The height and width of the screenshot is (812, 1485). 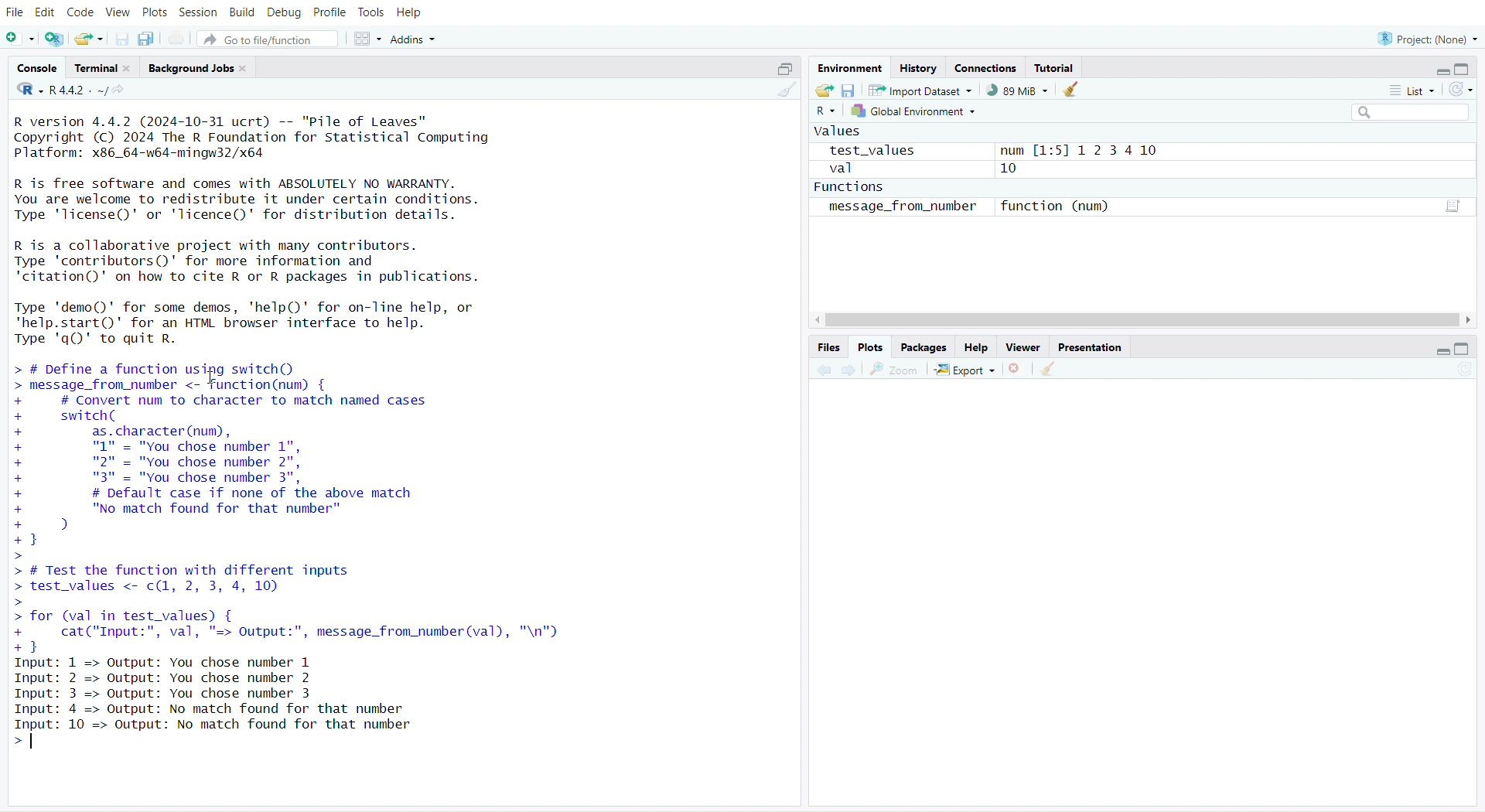 What do you see at coordinates (1021, 346) in the screenshot?
I see `Viewer` at bounding box center [1021, 346].